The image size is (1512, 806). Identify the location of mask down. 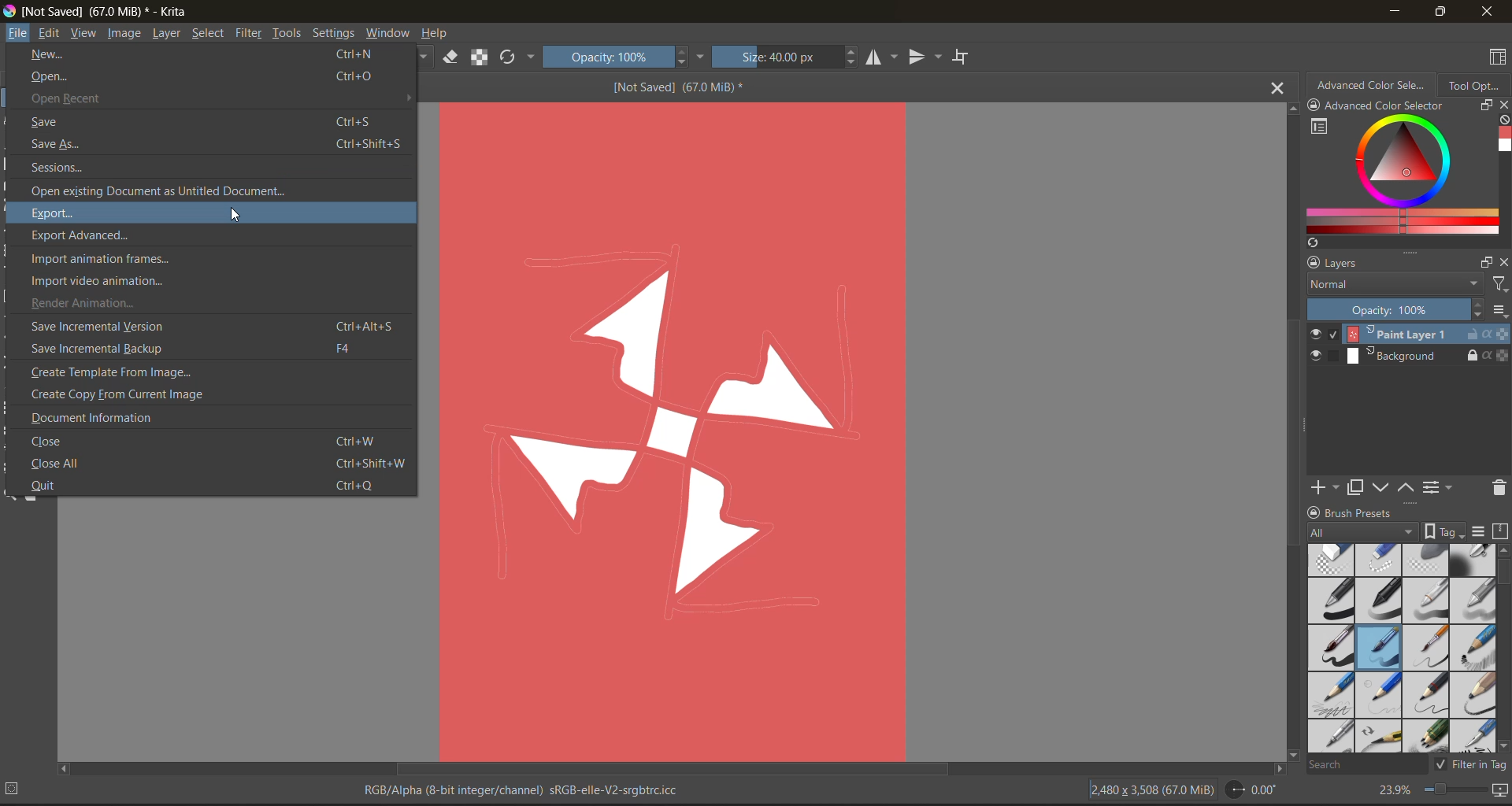
(1384, 487).